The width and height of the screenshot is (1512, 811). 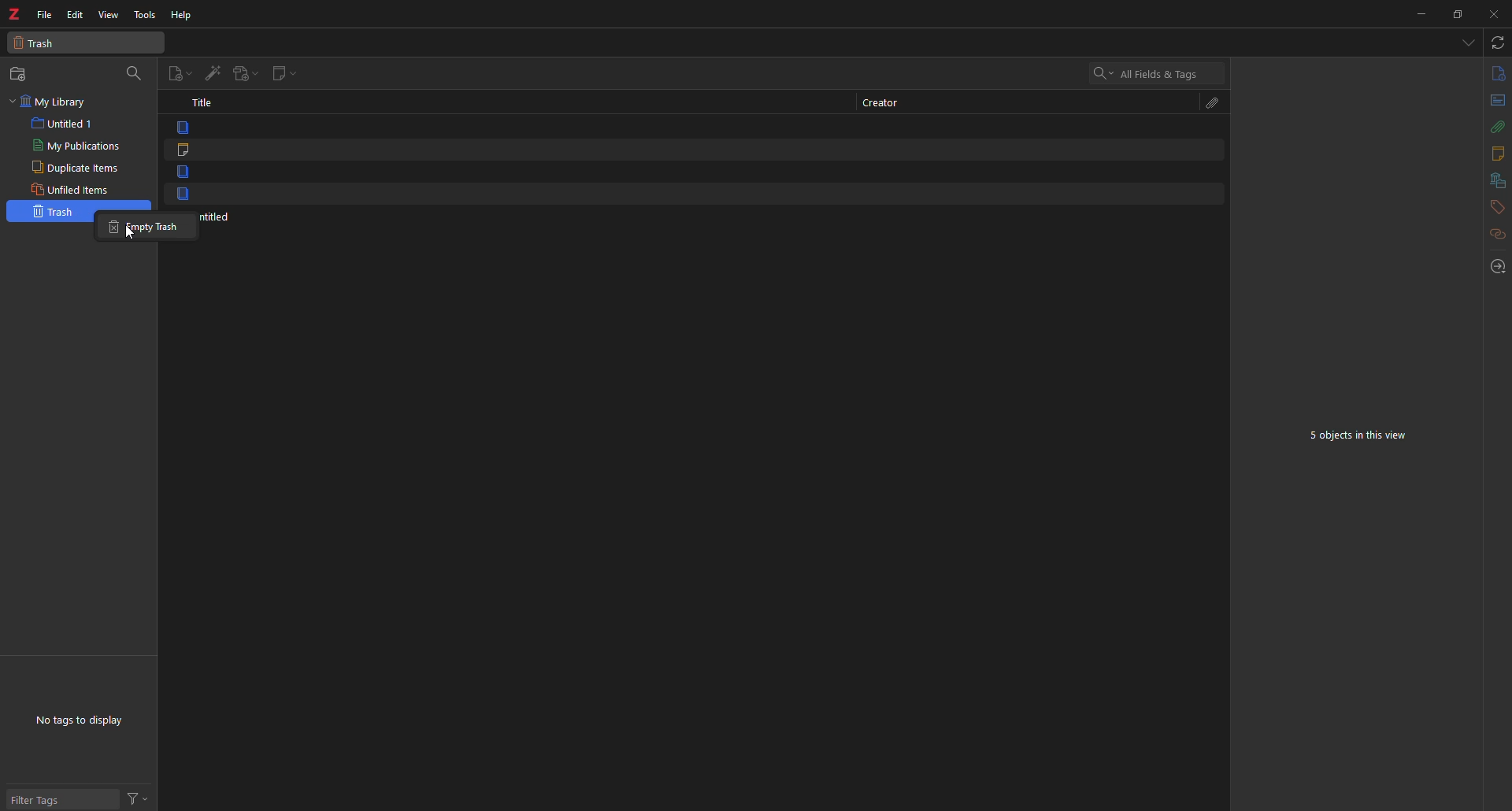 What do you see at coordinates (1495, 234) in the screenshot?
I see `related` at bounding box center [1495, 234].